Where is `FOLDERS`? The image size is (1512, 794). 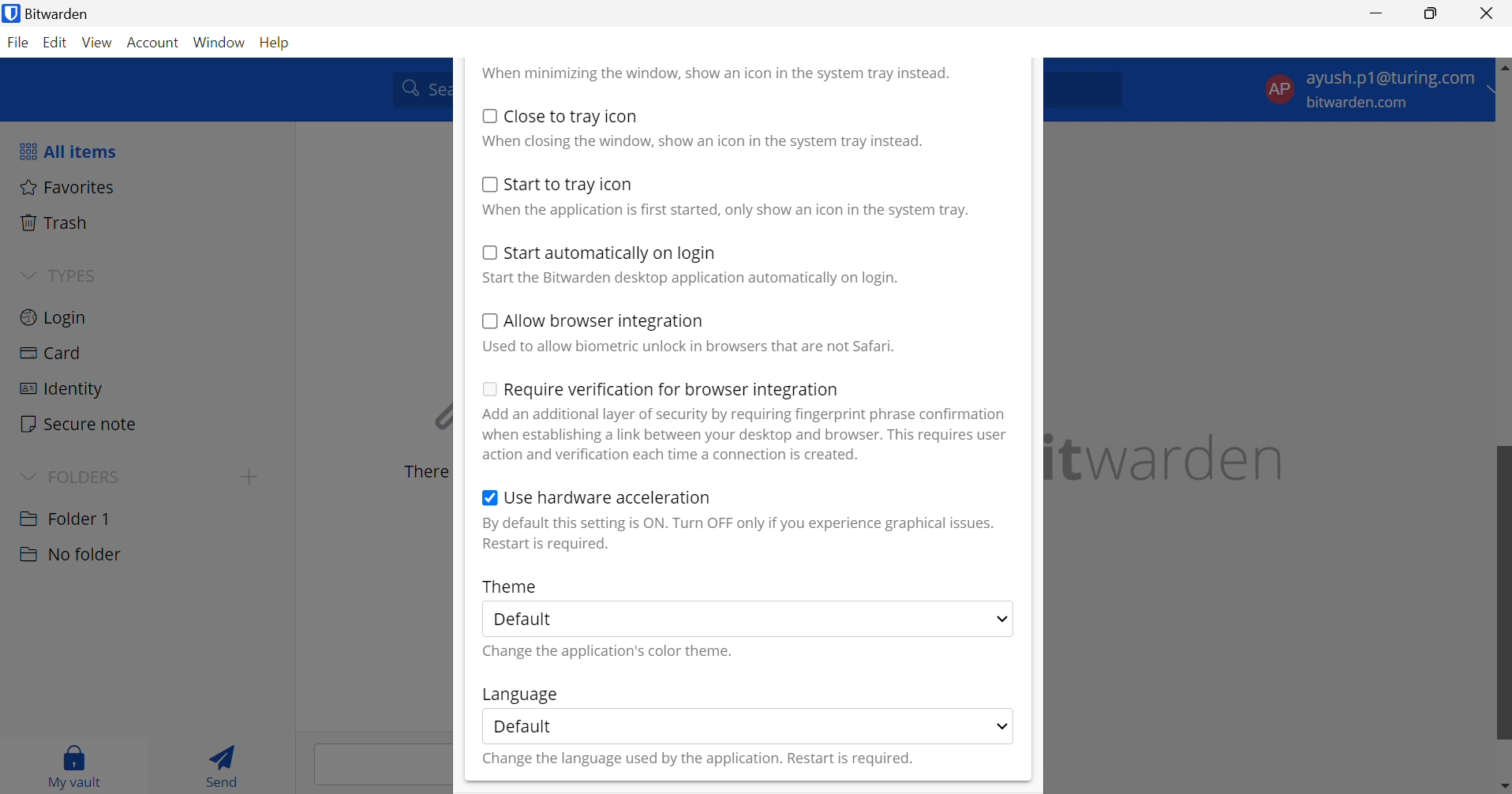
FOLDERS is located at coordinates (88, 475).